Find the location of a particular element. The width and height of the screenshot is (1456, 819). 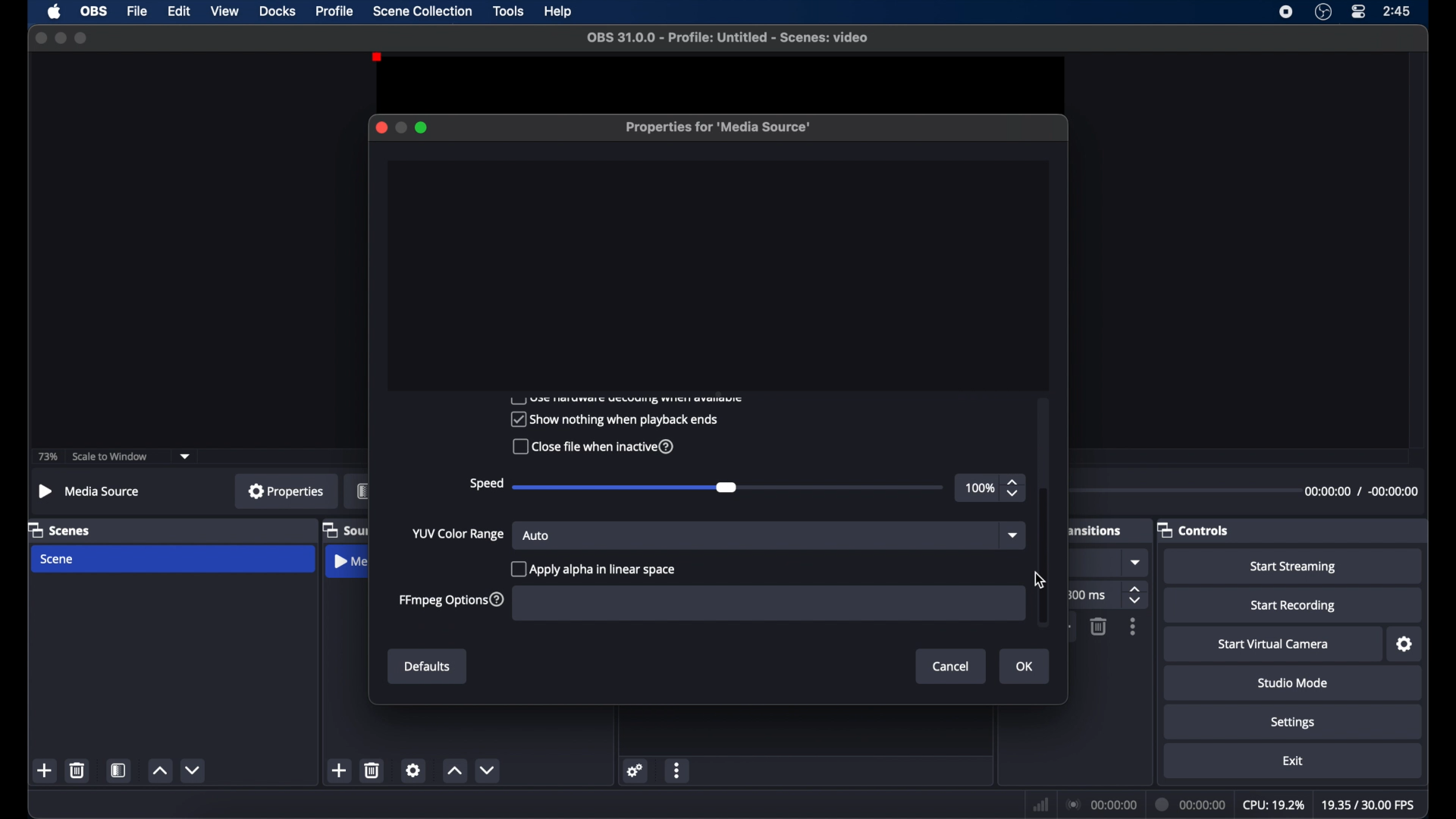

add is located at coordinates (340, 770).